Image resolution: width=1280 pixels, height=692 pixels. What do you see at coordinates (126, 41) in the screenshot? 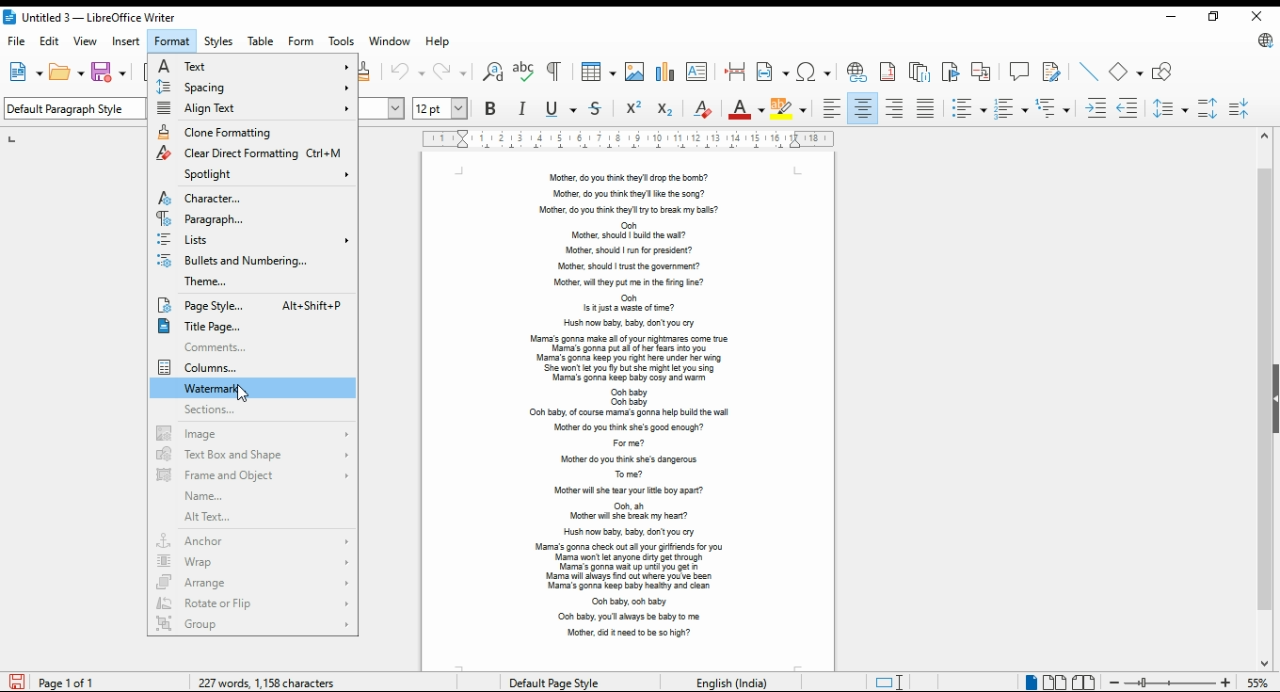
I see `insert` at bounding box center [126, 41].